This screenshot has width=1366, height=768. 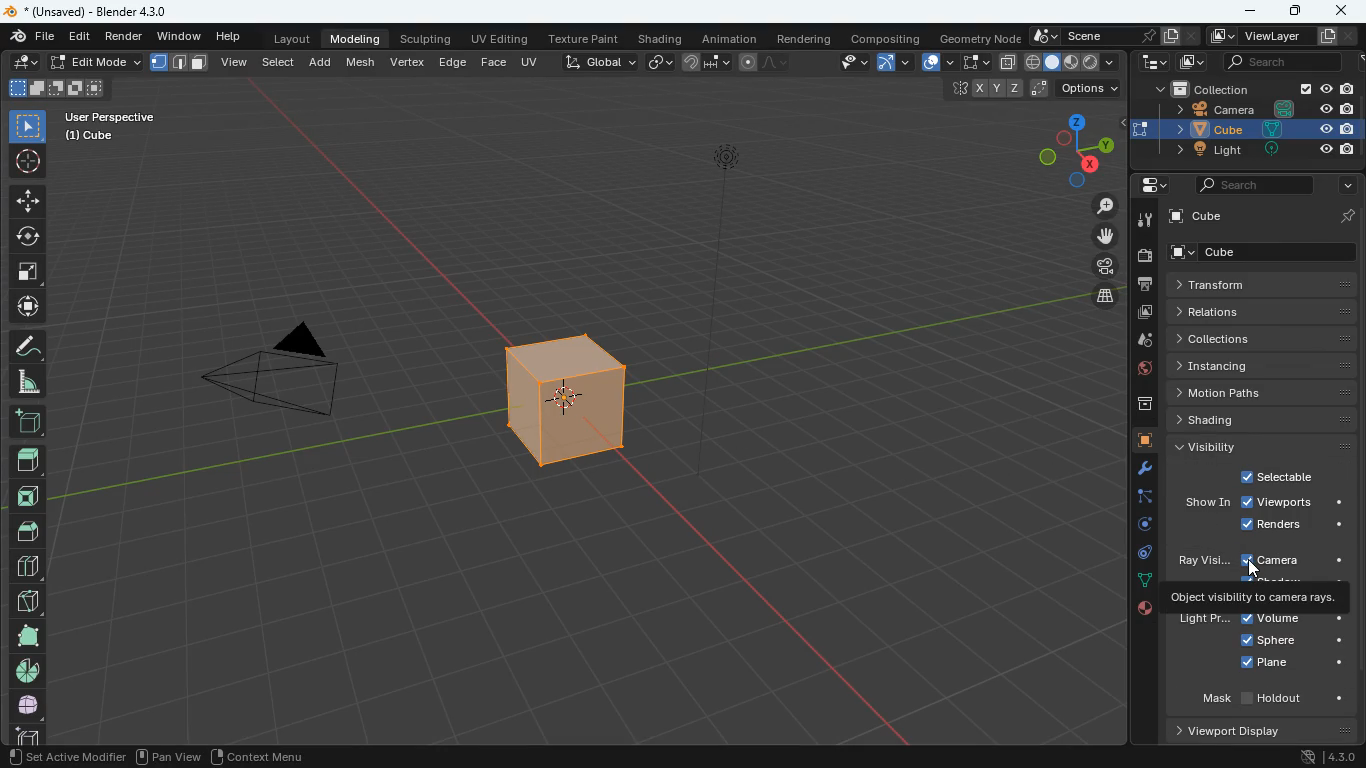 What do you see at coordinates (55, 89) in the screenshot?
I see `shape form` at bounding box center [55, 89].